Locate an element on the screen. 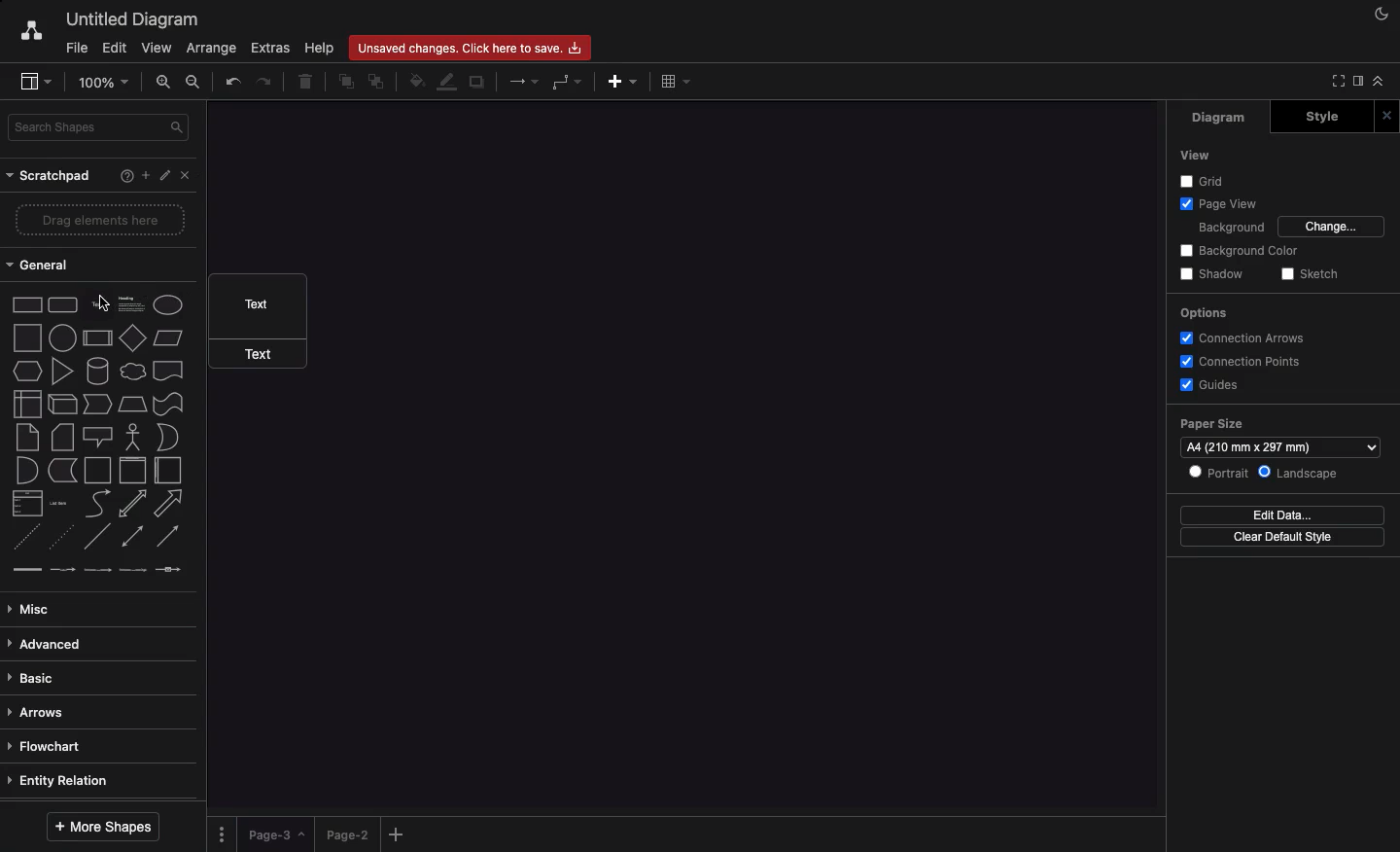 Image resolution: width=1400 pixels, height=852 pixels. Options is located at coordinates (224, 834).